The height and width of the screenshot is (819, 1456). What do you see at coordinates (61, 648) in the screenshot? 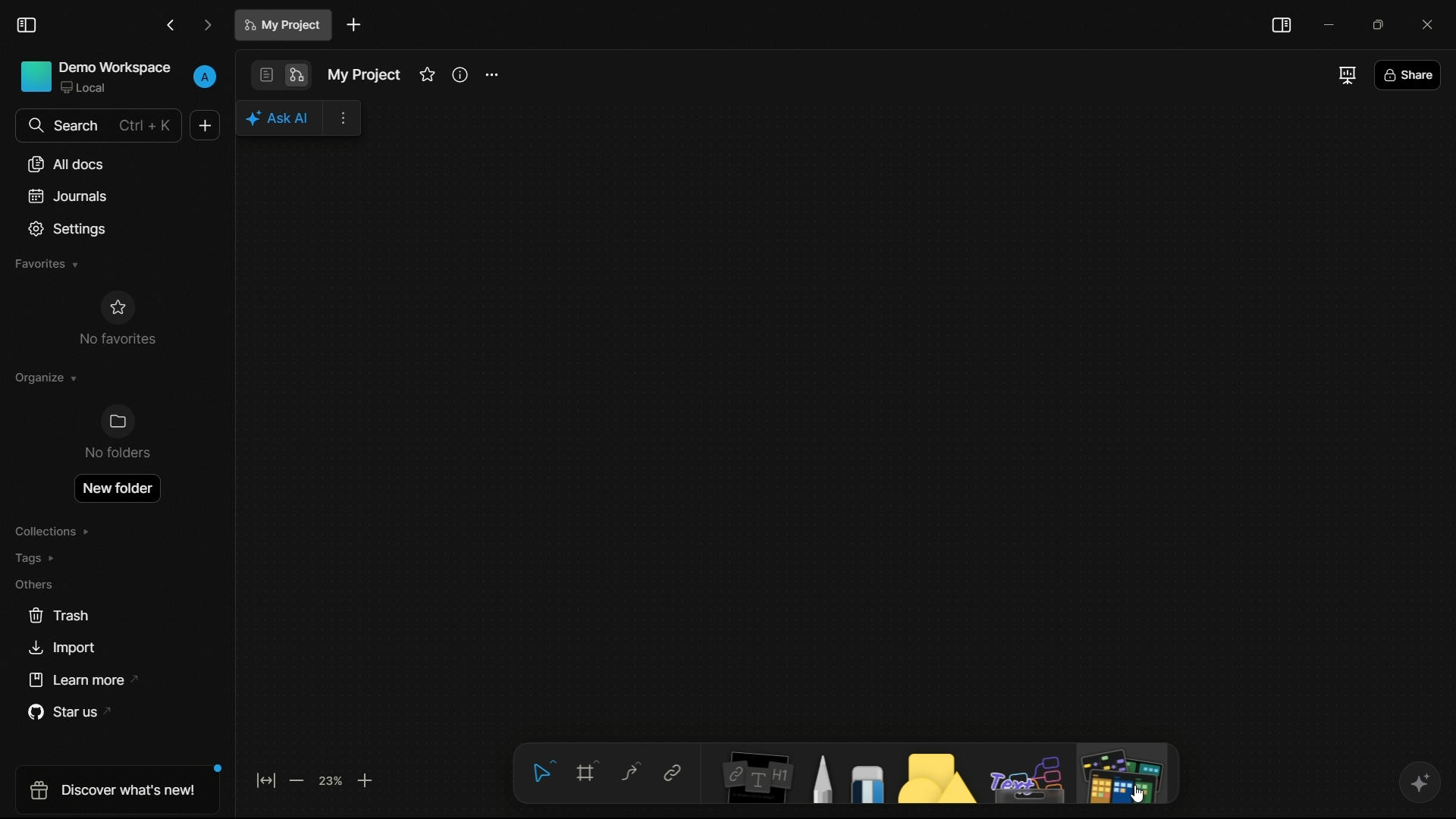
I see `import` at bounding box center [61, 648].